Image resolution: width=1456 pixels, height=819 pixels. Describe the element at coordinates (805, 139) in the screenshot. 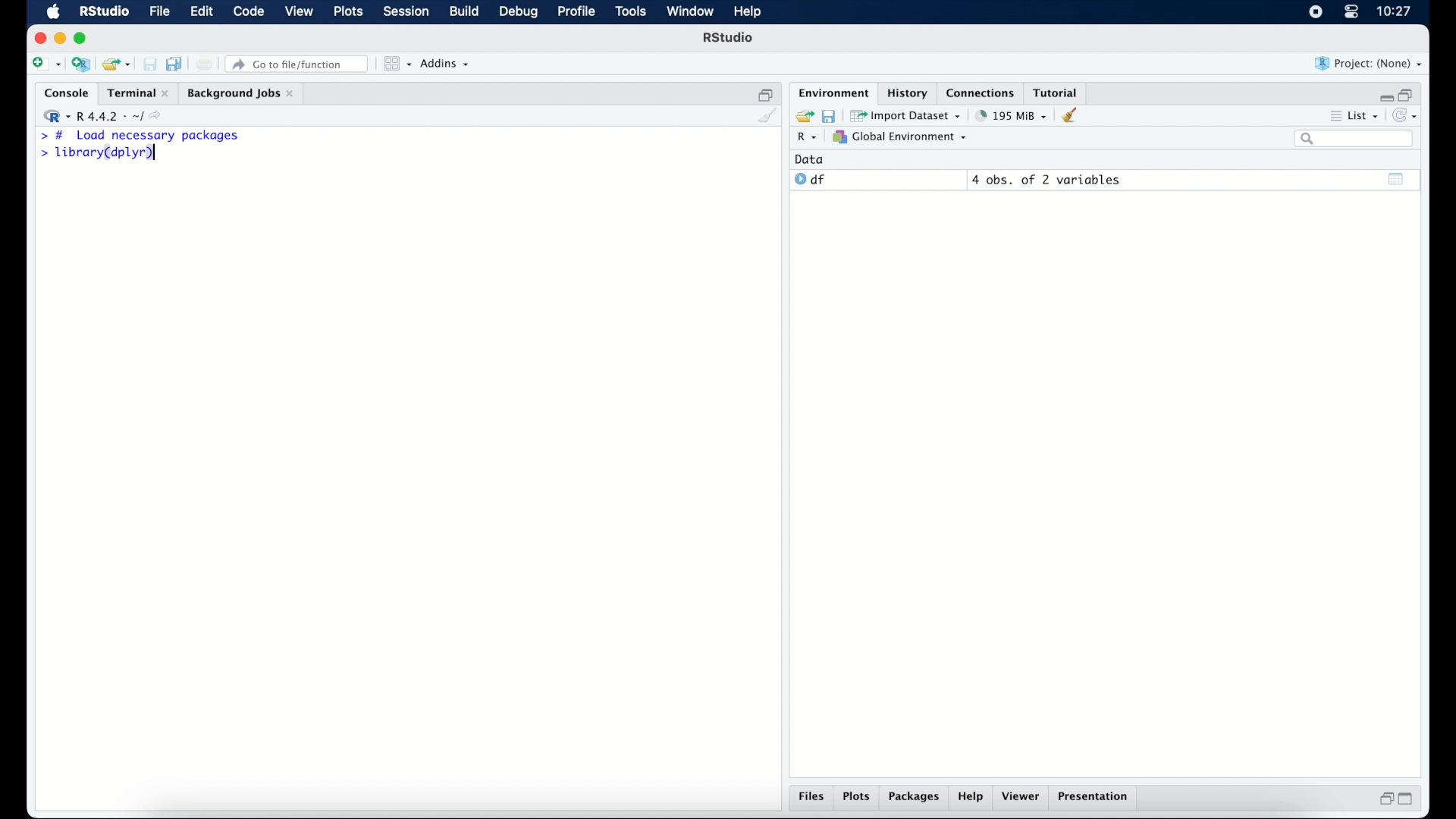

I see `R` at that location.